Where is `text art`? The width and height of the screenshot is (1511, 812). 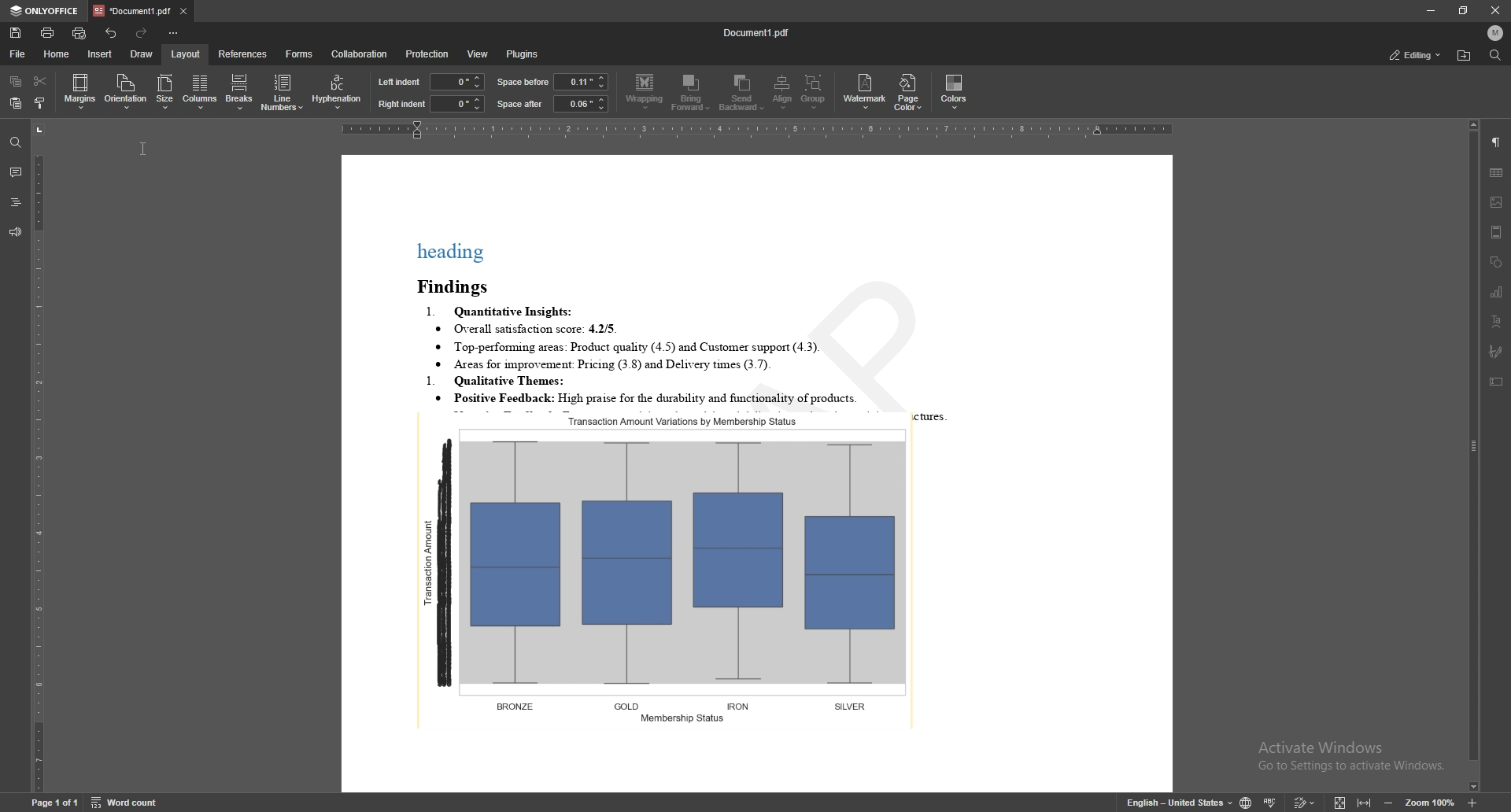 text art is located at coordinates (1498, 321).